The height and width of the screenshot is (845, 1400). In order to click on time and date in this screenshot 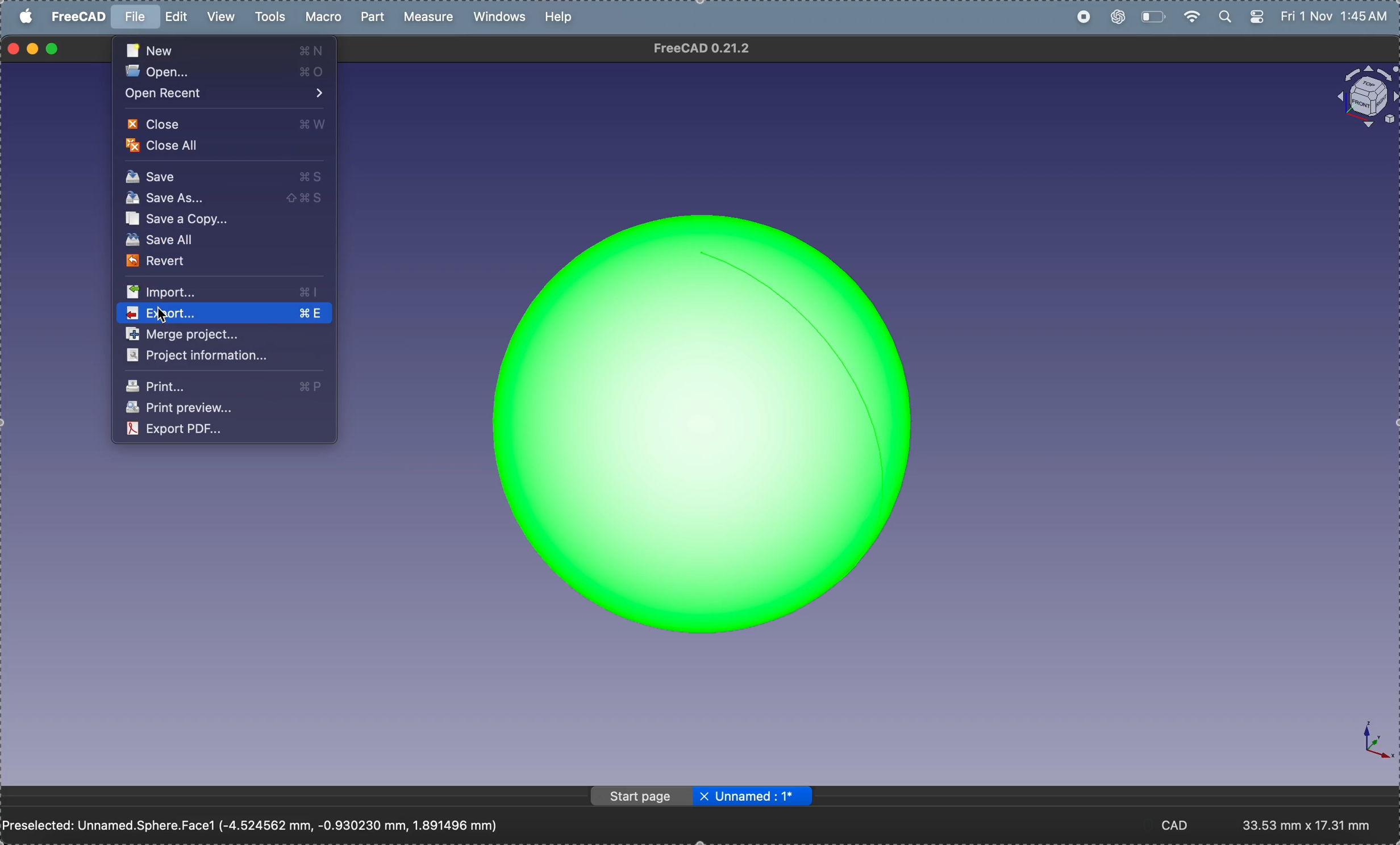, I will do `click(1338, 16)`.